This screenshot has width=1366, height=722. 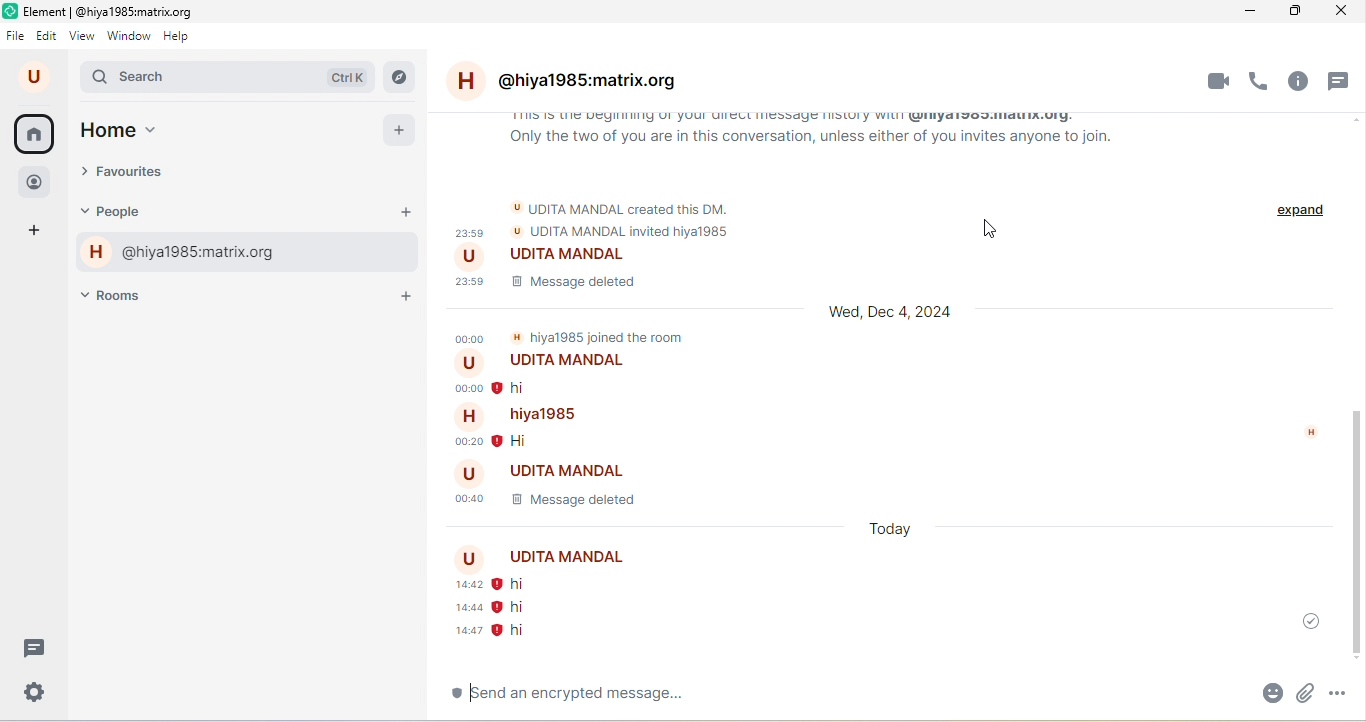 I want to click on message deleted, so click(x=570, y=280).